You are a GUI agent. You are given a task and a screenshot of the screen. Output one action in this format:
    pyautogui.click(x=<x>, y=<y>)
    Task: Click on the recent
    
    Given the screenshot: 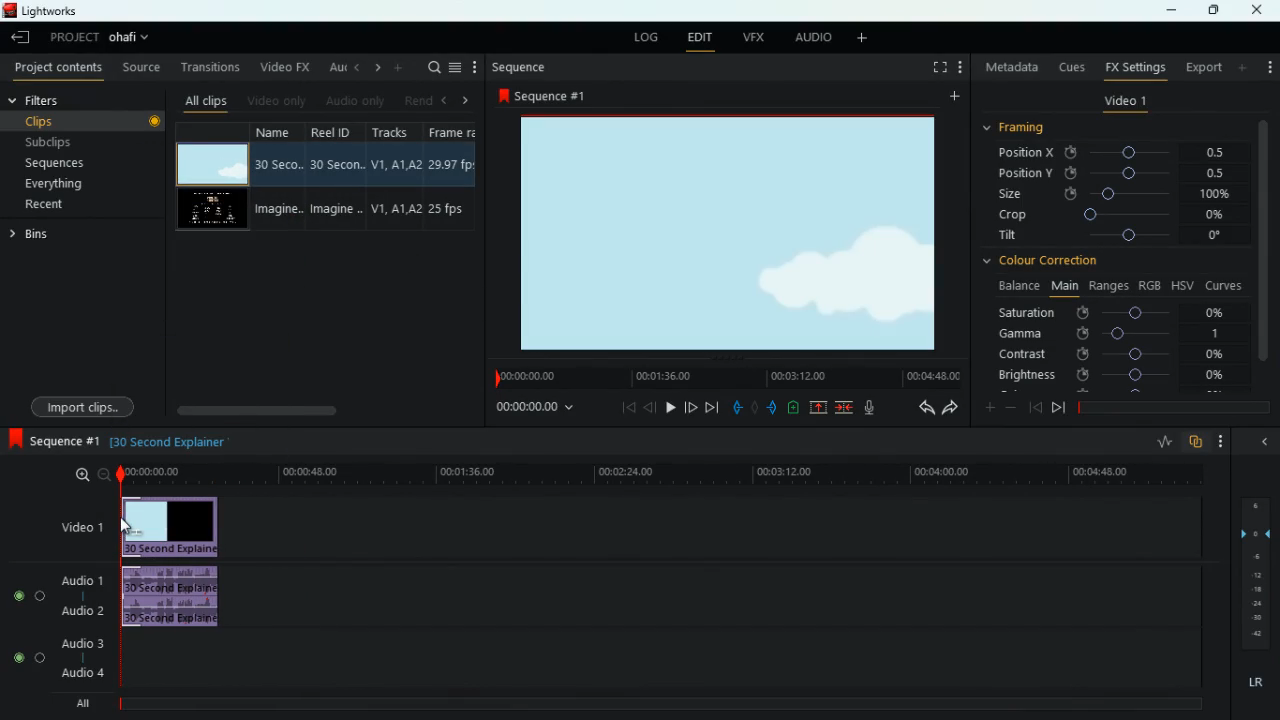 What is the action you would take?
    pyautogui.click(x=47, y=206)
    